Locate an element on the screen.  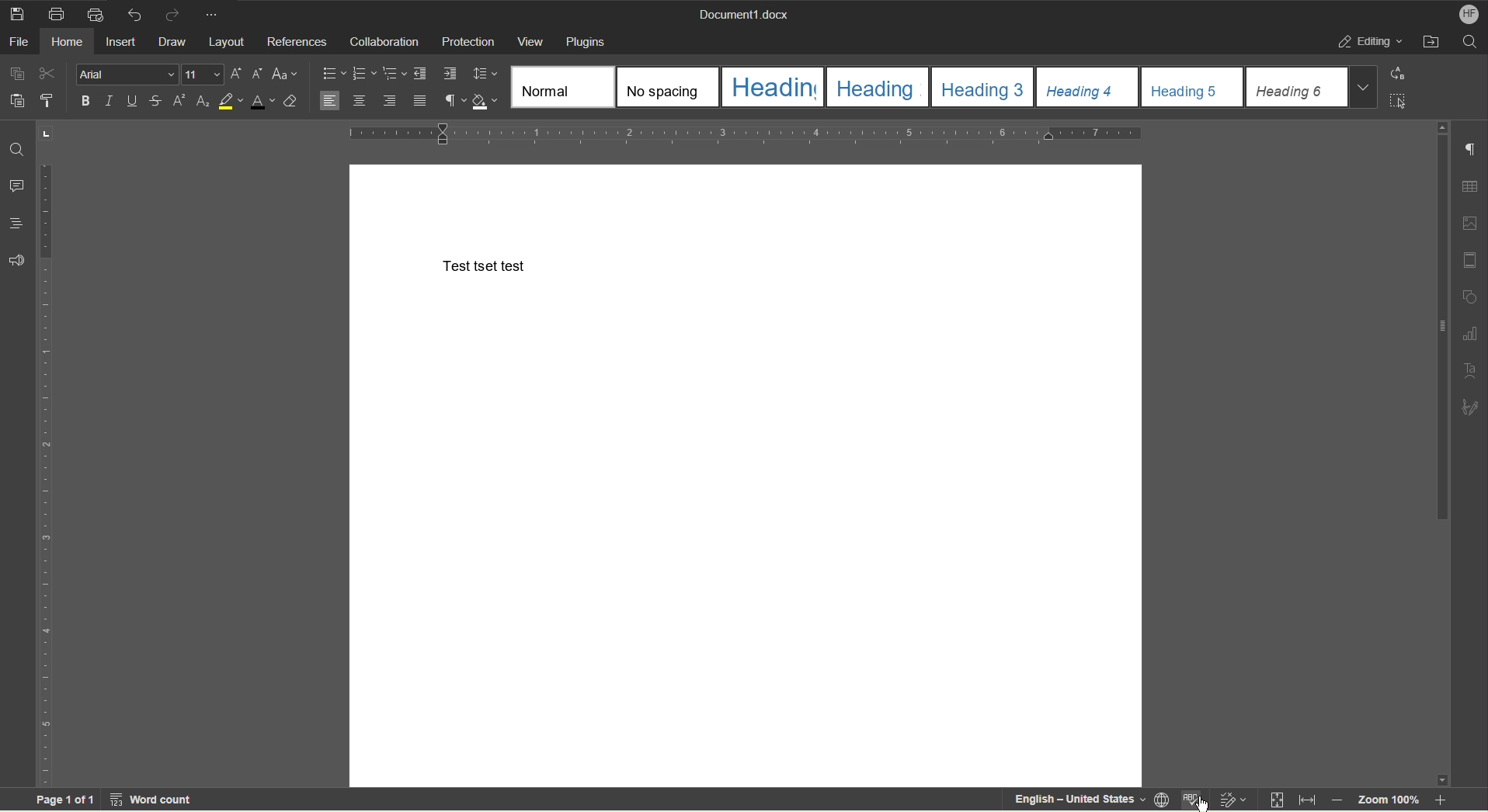
Plugins is located at coordinates (584, 40).